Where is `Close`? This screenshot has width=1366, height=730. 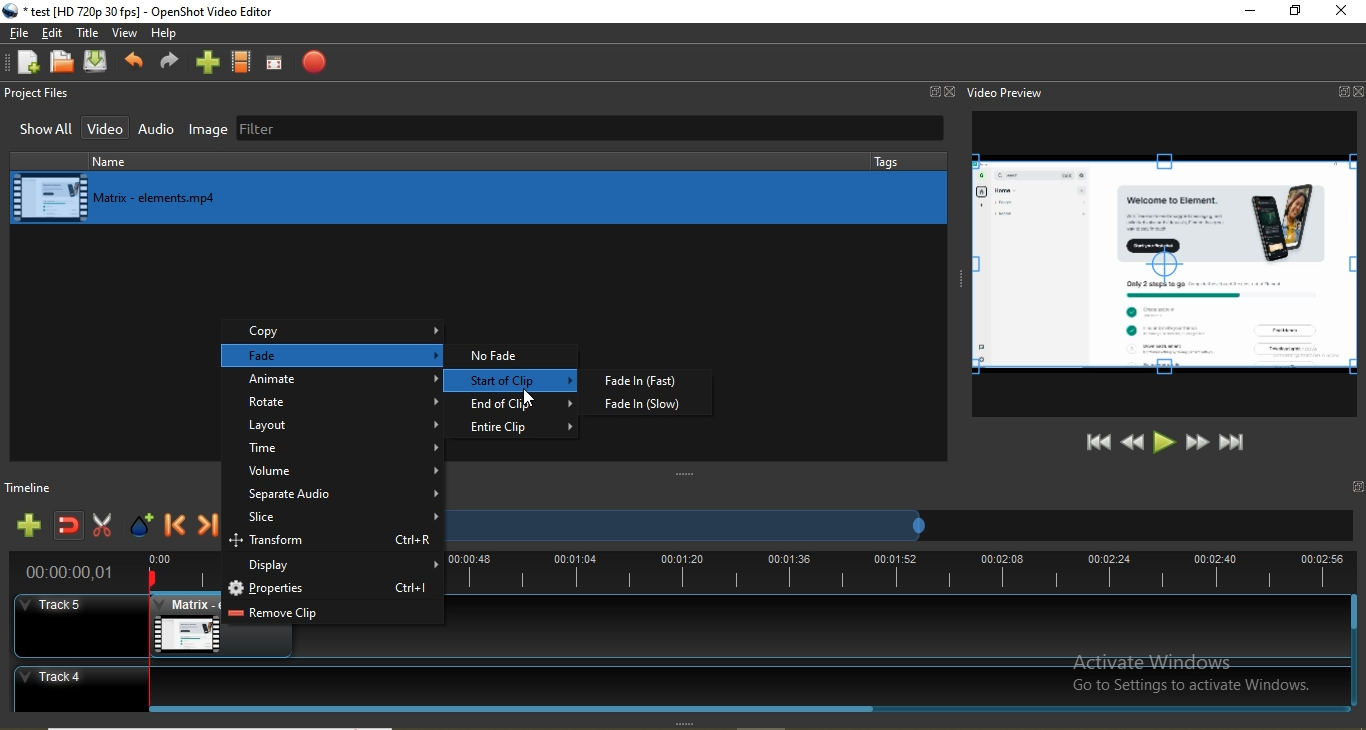
Close is located at coordinates (952, 91).